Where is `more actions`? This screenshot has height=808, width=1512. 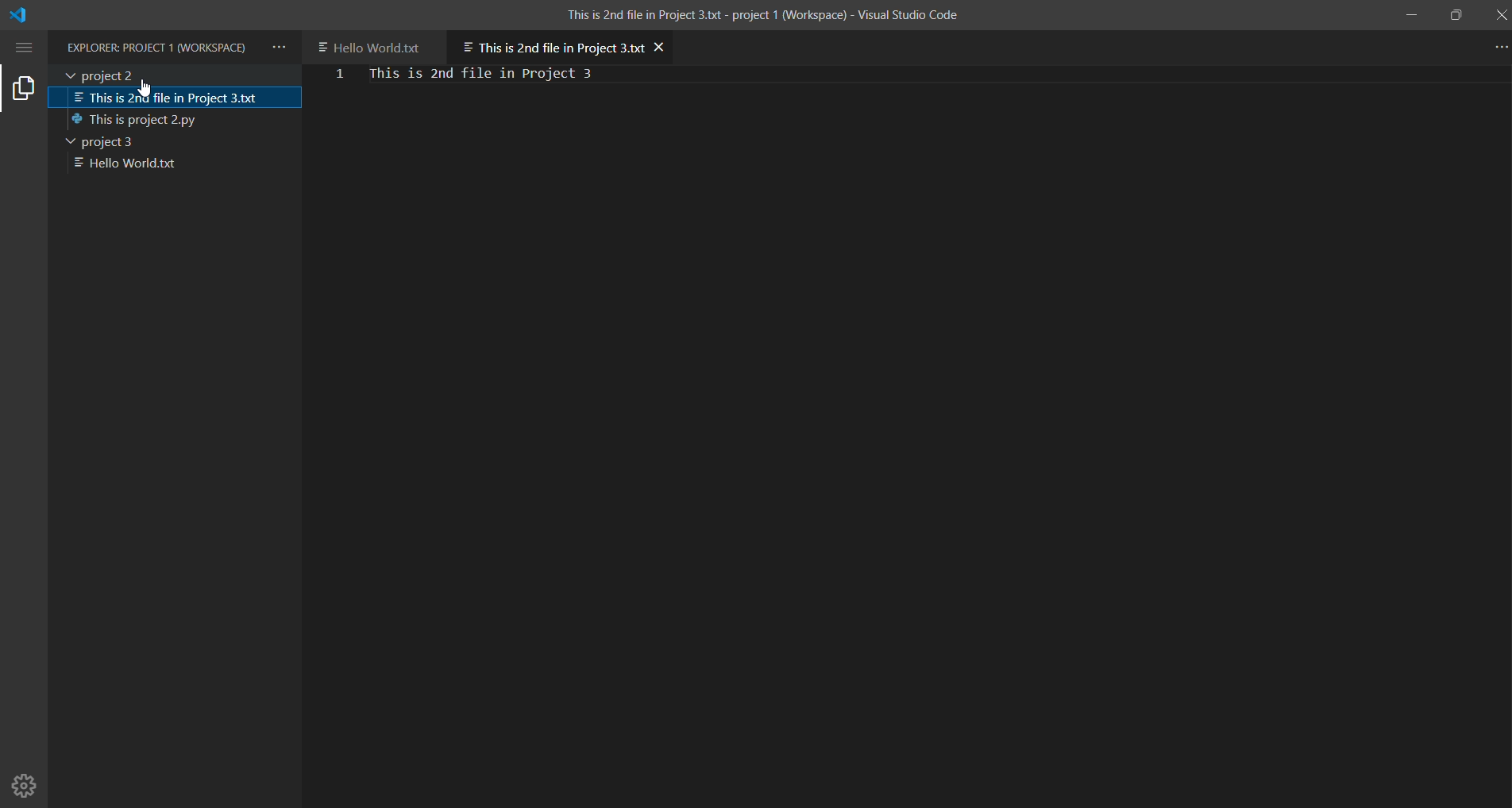 more actions is located at coordinates (1495, 46).